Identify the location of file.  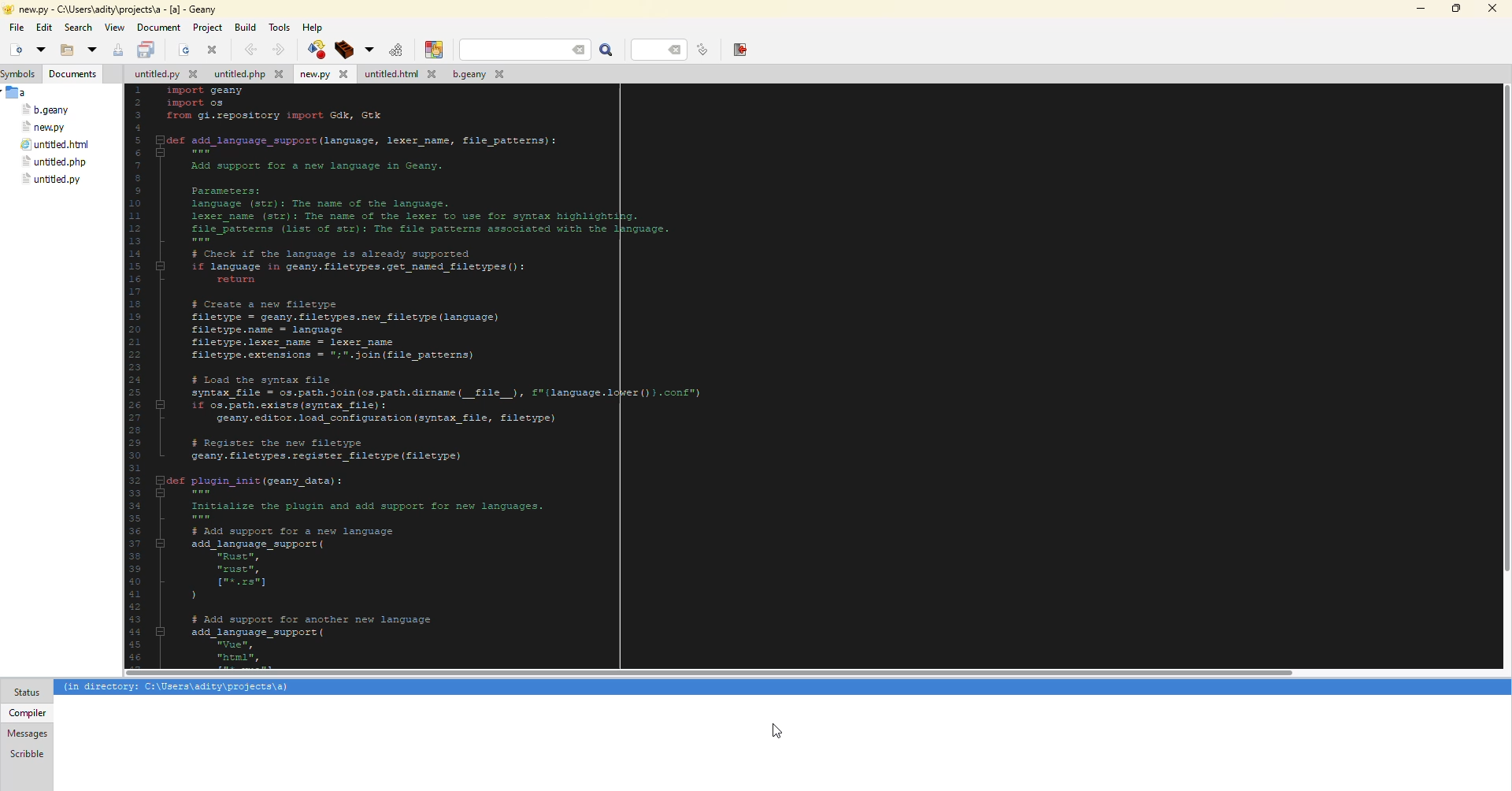
(56, 144).